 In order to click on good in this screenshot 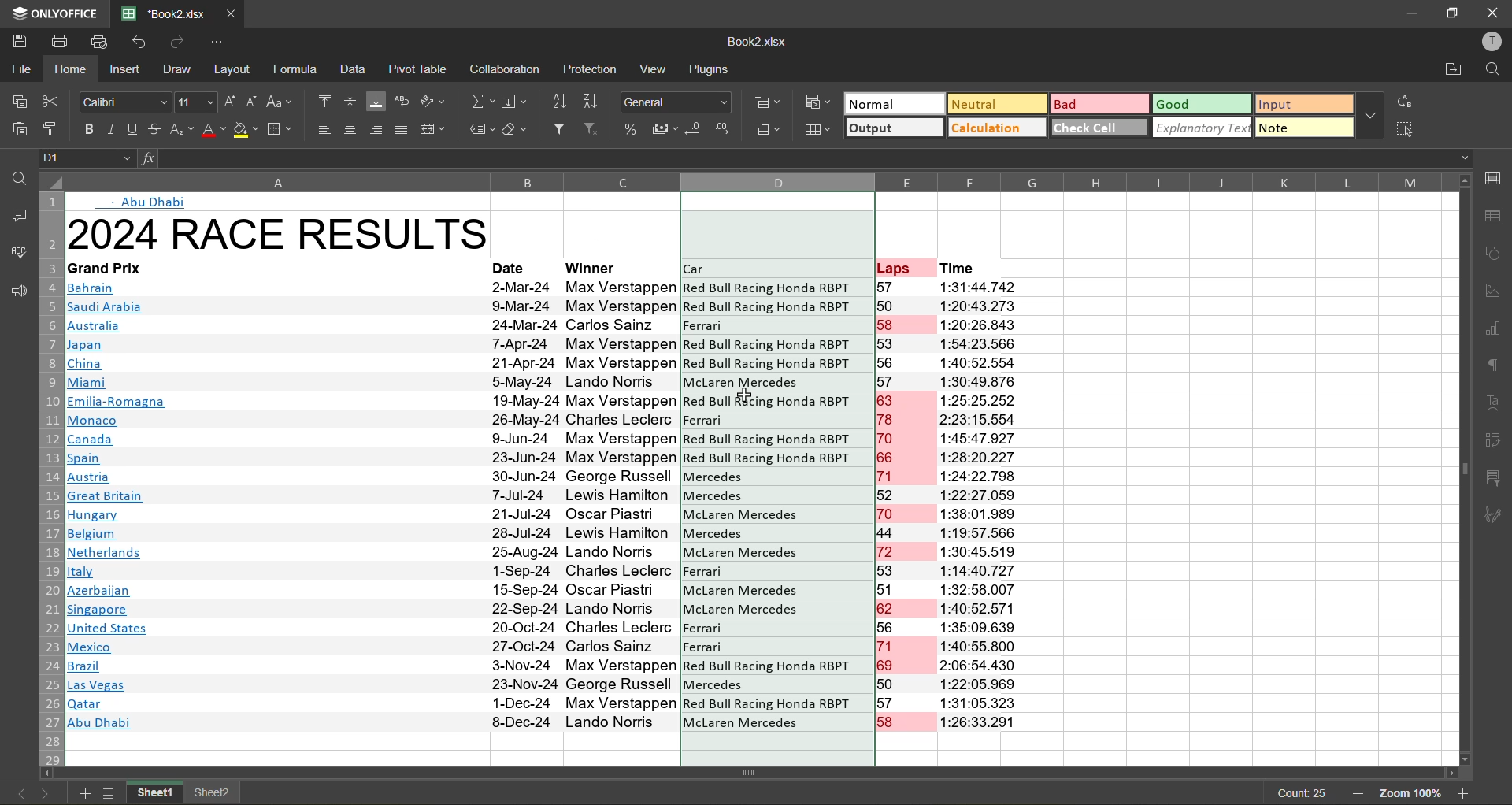, I will do `click(1200, 105)`.